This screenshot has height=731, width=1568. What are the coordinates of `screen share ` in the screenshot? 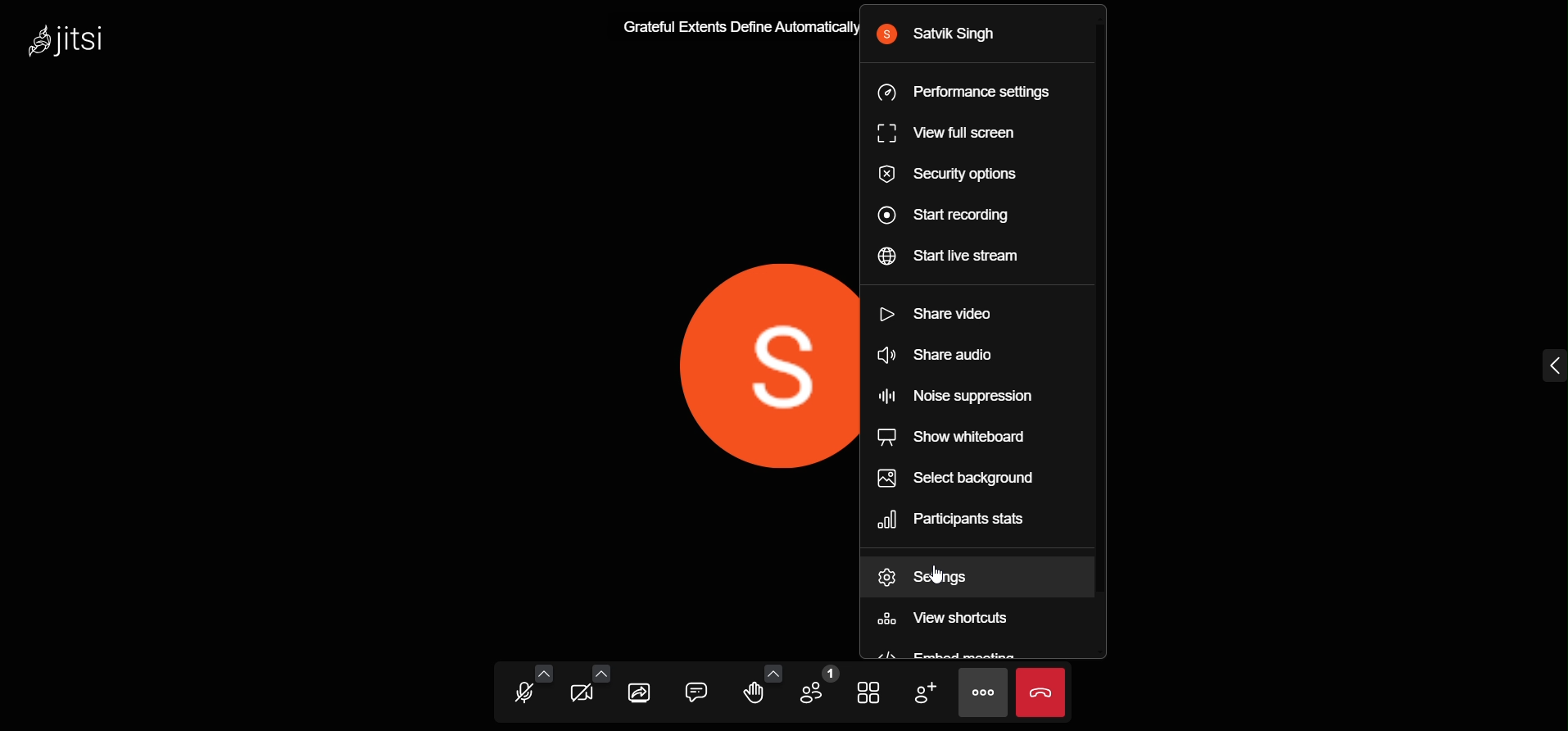 It's located at (641, 690).